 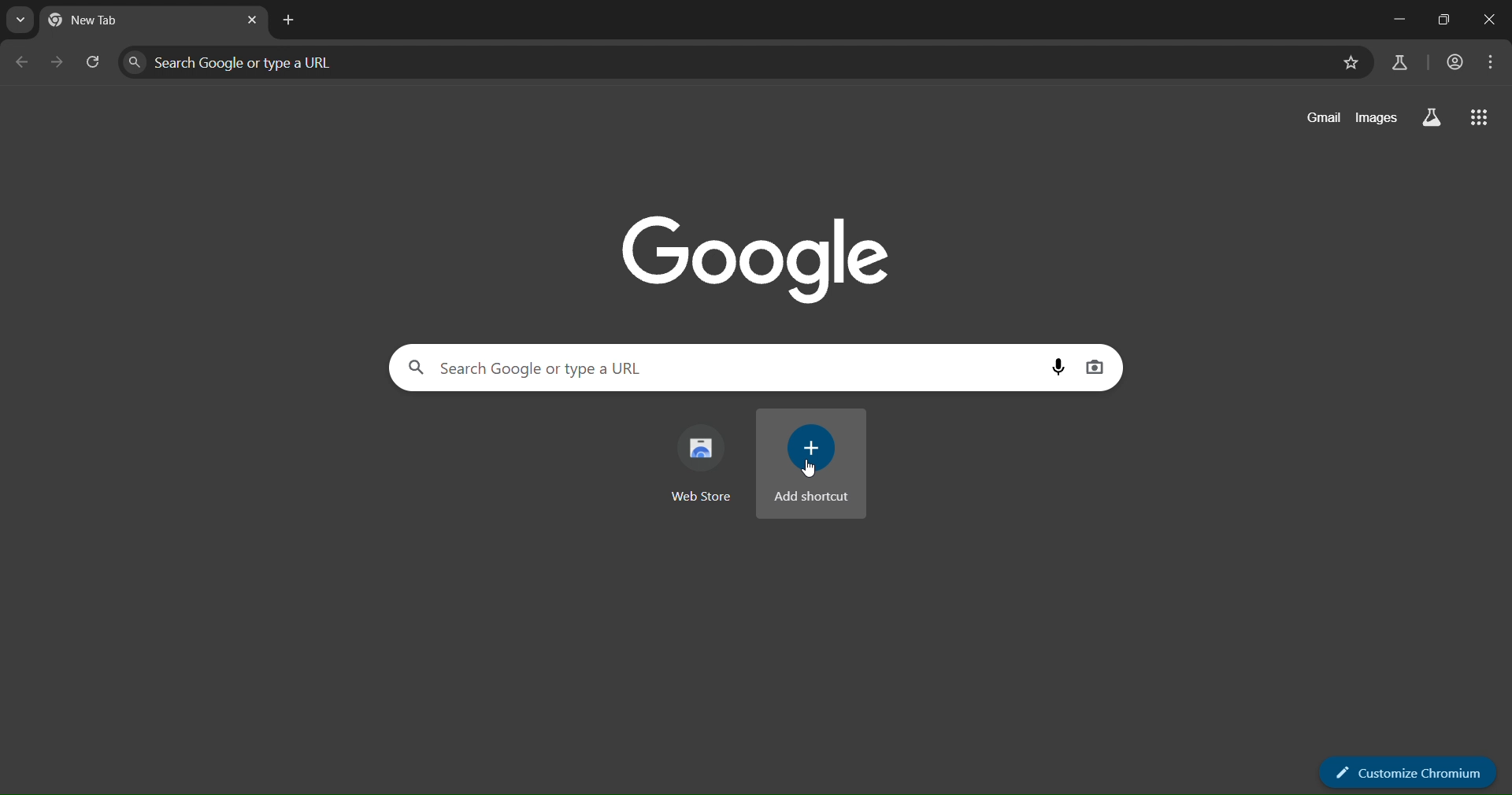 I want to click on google apps, so click(x=1480, y=119).